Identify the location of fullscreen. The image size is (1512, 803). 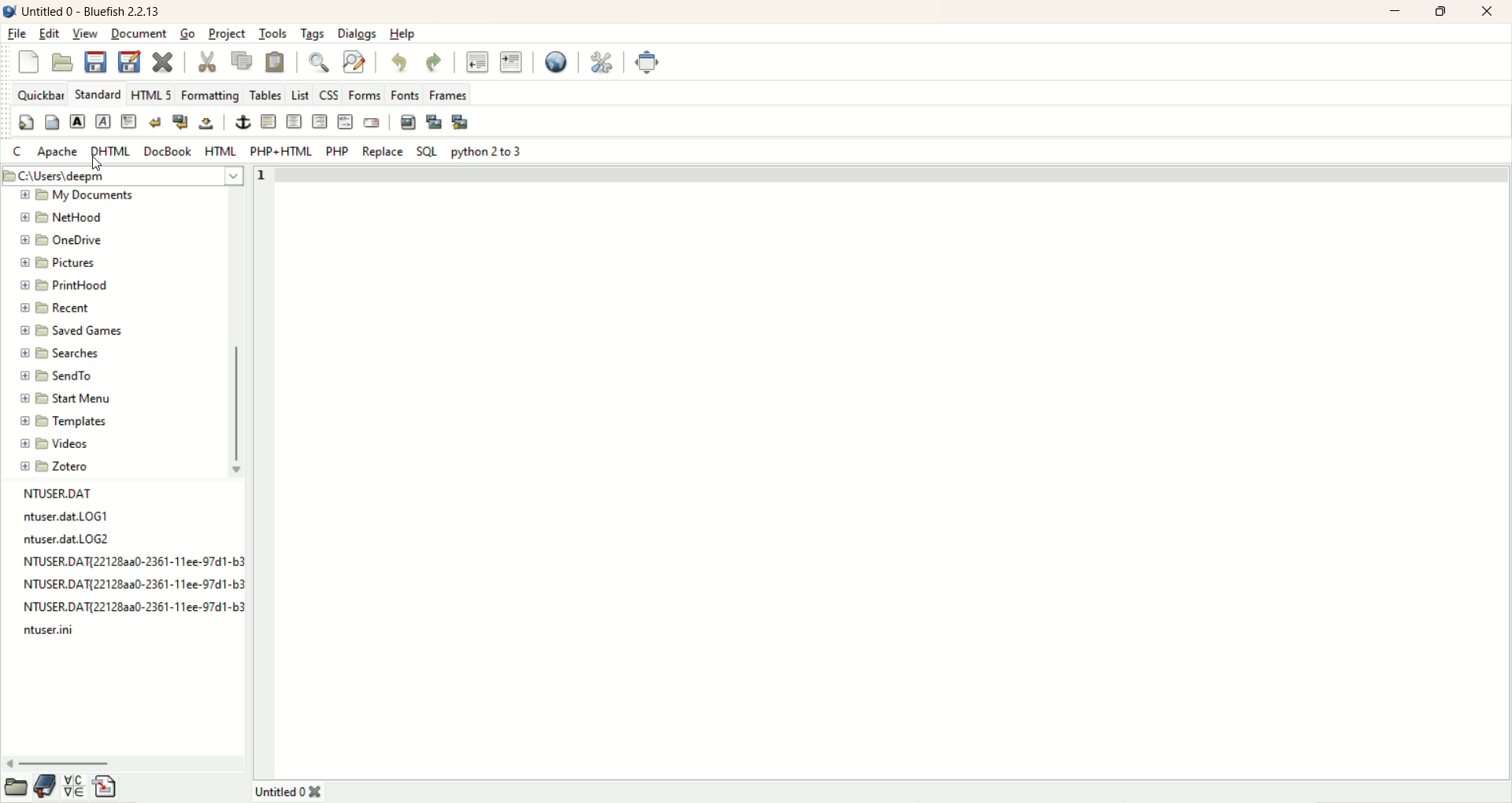
(648, 63).